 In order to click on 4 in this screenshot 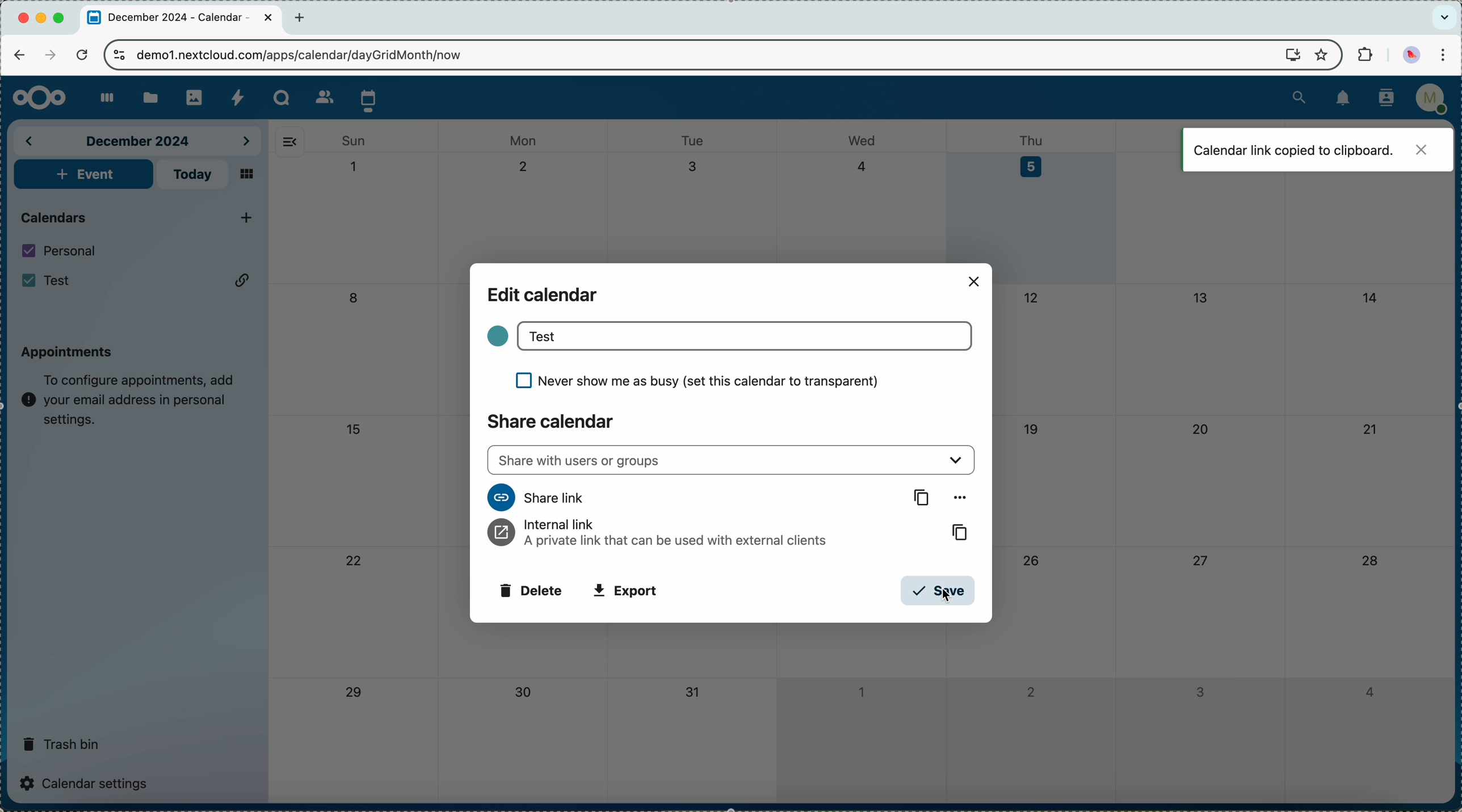, I will do `click(863, 166)`.